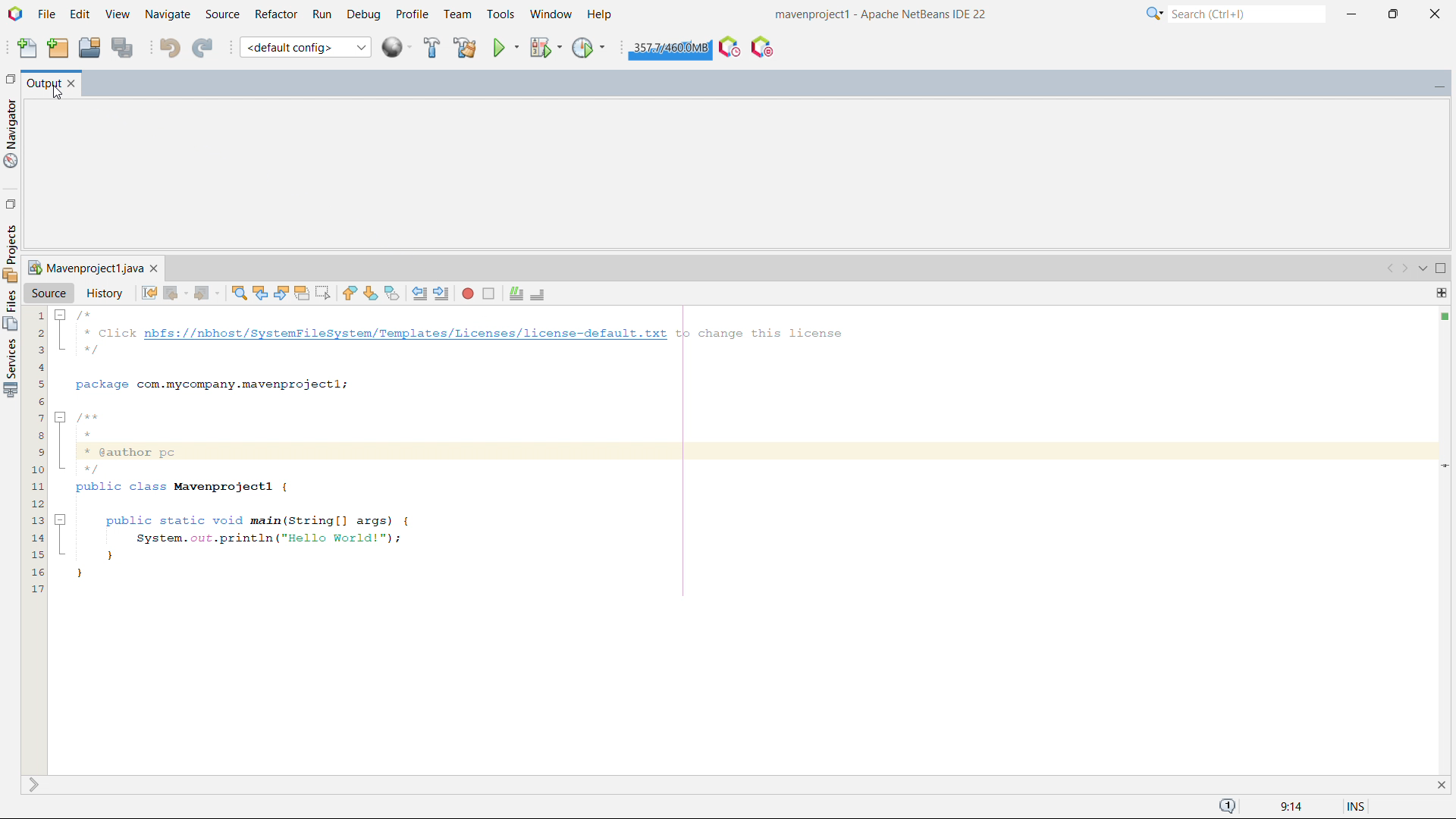 This screenshot has height=819, width=1456. I want to click on start macro recording , so click(468, 293).